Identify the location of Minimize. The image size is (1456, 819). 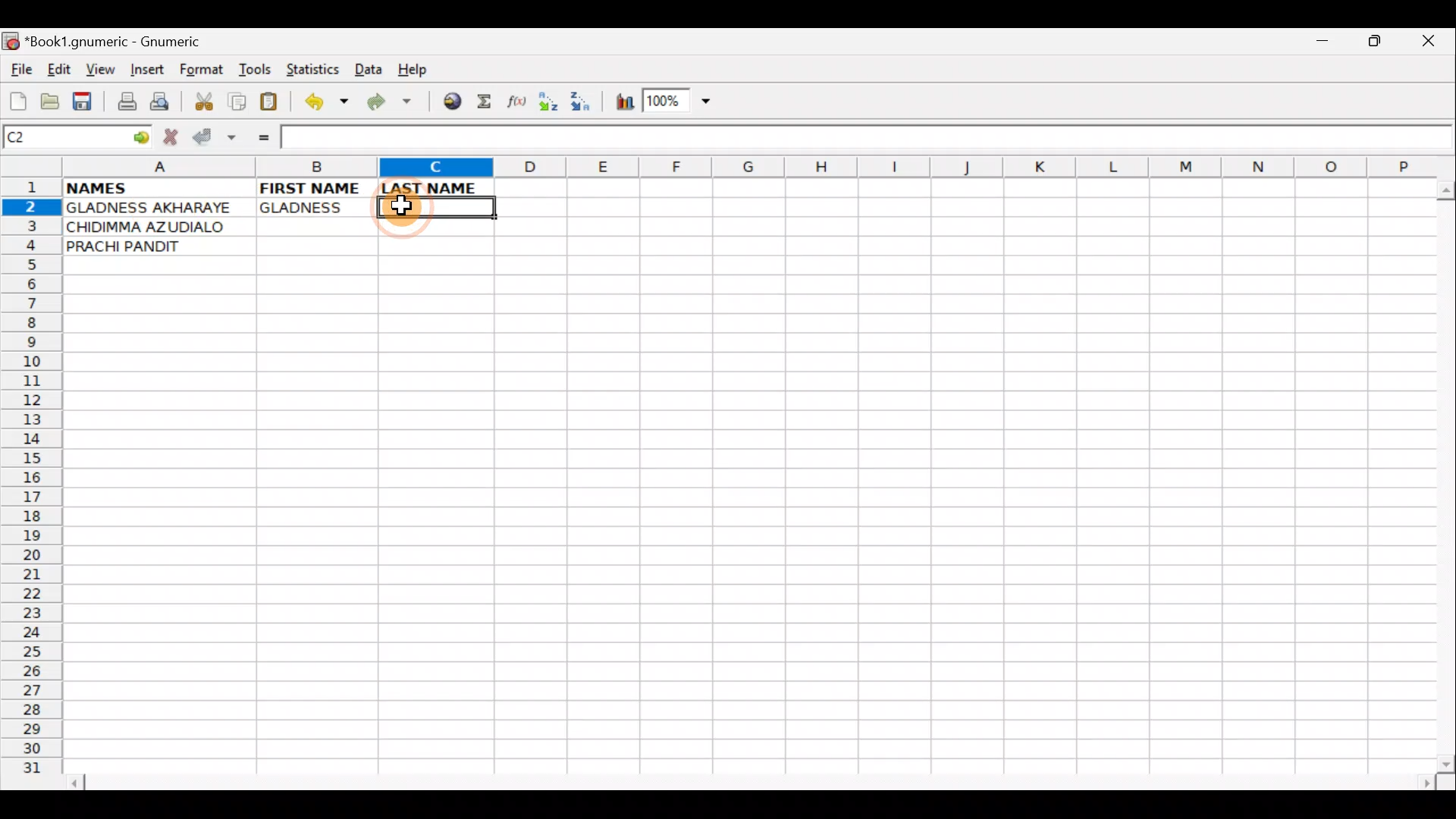
(1319, 45).